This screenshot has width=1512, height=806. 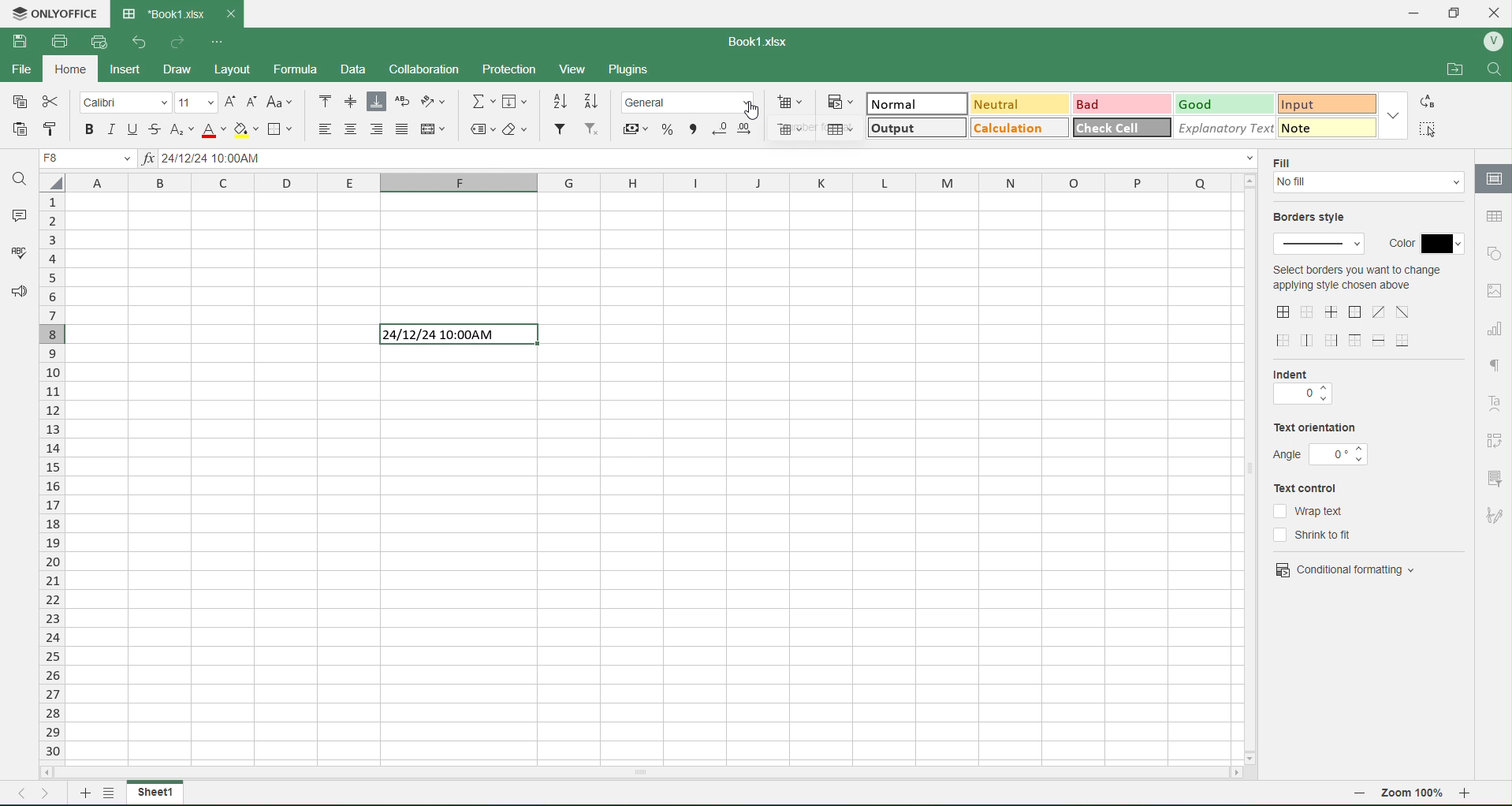 What do you see at coordinates (453, 335) in the screenshot?
I see `24/12/24 10:00AM` at bounding box center [453, 335].